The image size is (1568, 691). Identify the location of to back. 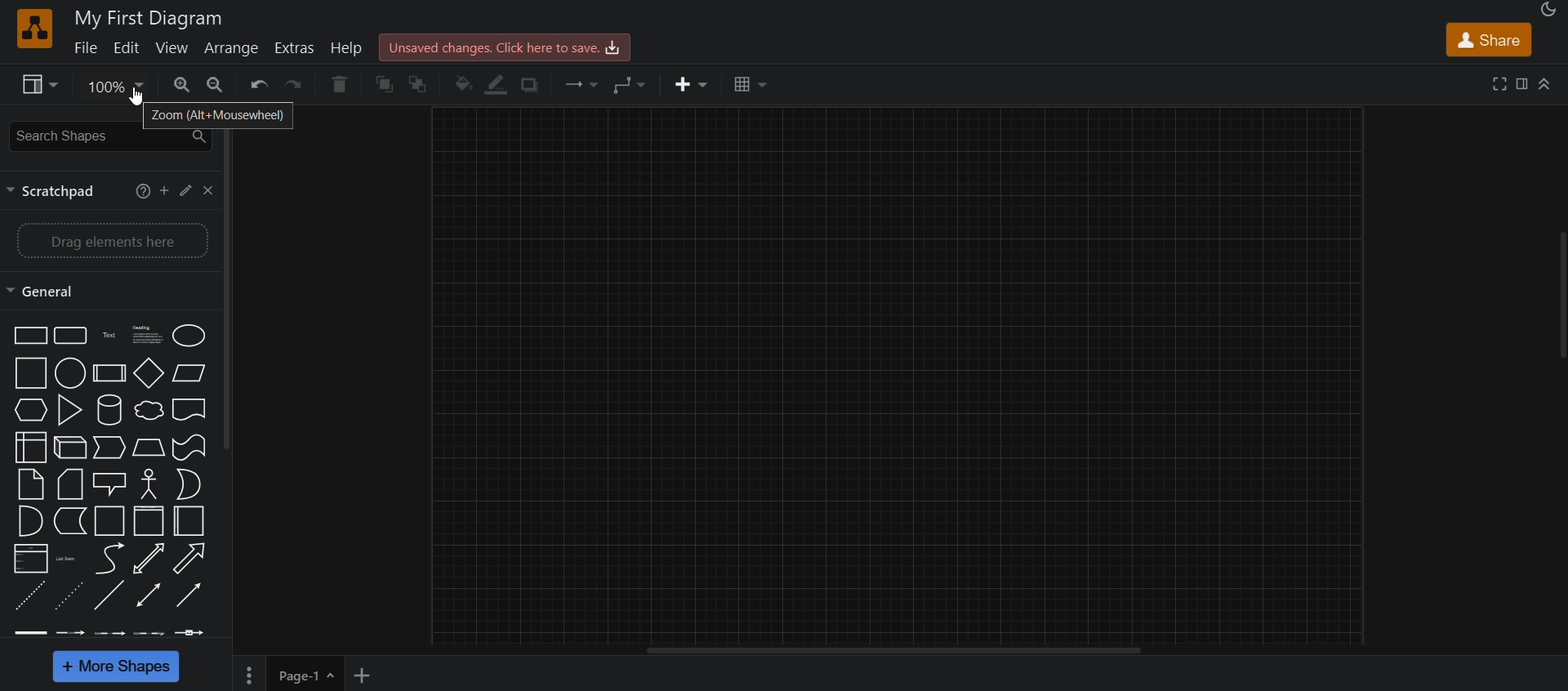
(426, 83).